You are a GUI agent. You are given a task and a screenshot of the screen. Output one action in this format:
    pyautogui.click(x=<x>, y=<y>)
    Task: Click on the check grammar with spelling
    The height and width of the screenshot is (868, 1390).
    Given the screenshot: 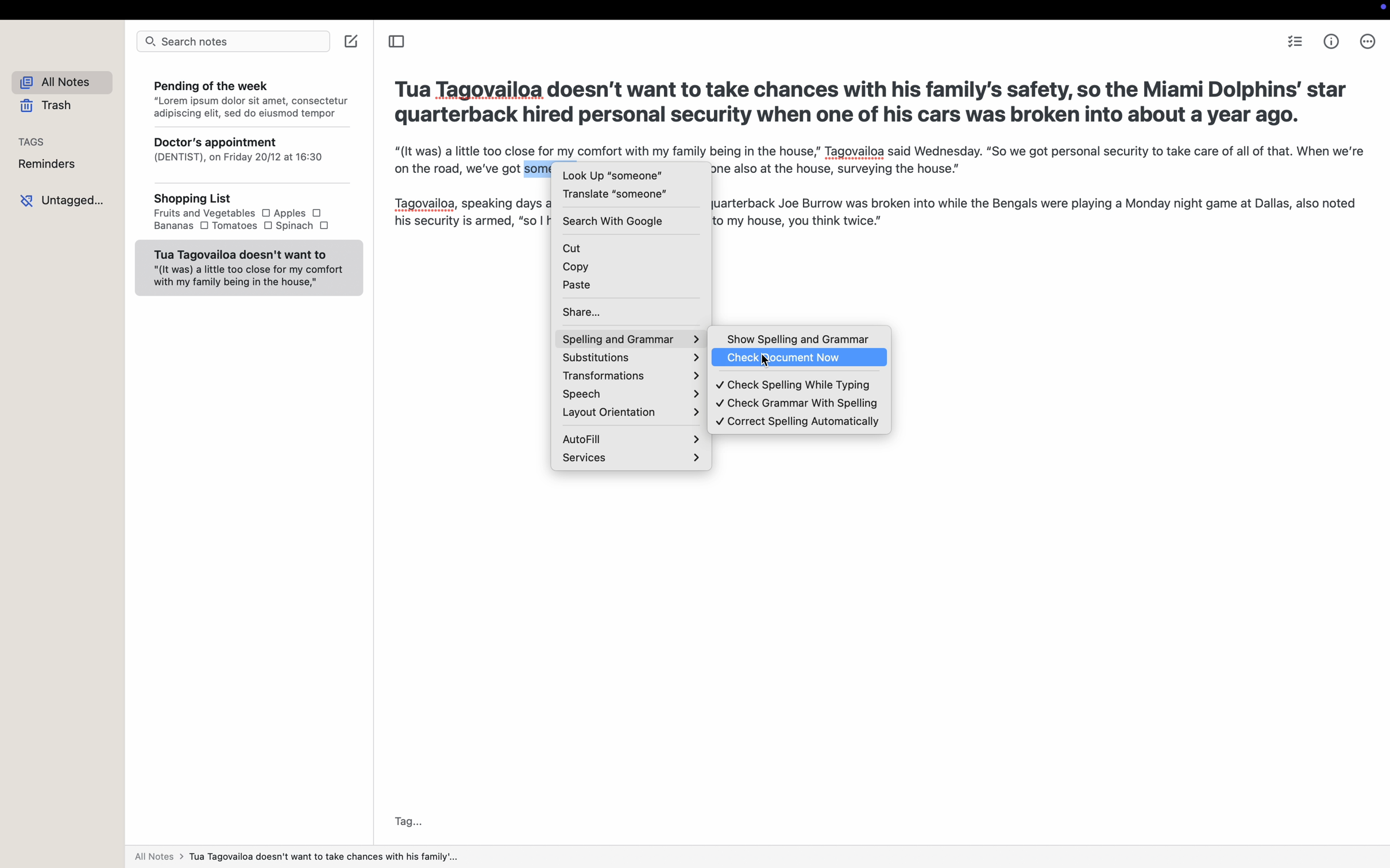 What is the action you would take?
    pyautogui.click(x=797, y=404)
    